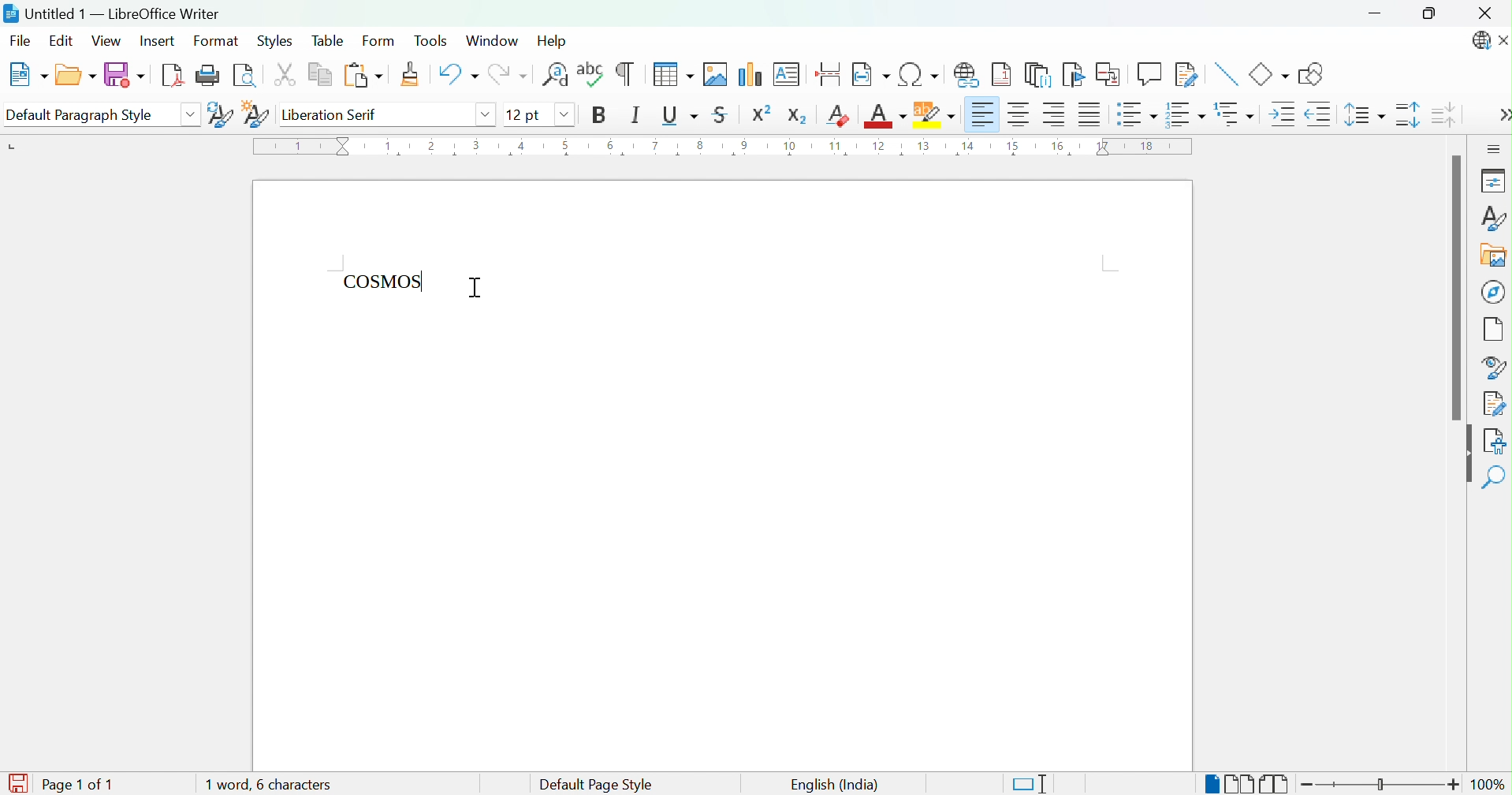 The width and height of the screenshot is (1512, 795). I want to click on 12 pt, so click(527, 114).